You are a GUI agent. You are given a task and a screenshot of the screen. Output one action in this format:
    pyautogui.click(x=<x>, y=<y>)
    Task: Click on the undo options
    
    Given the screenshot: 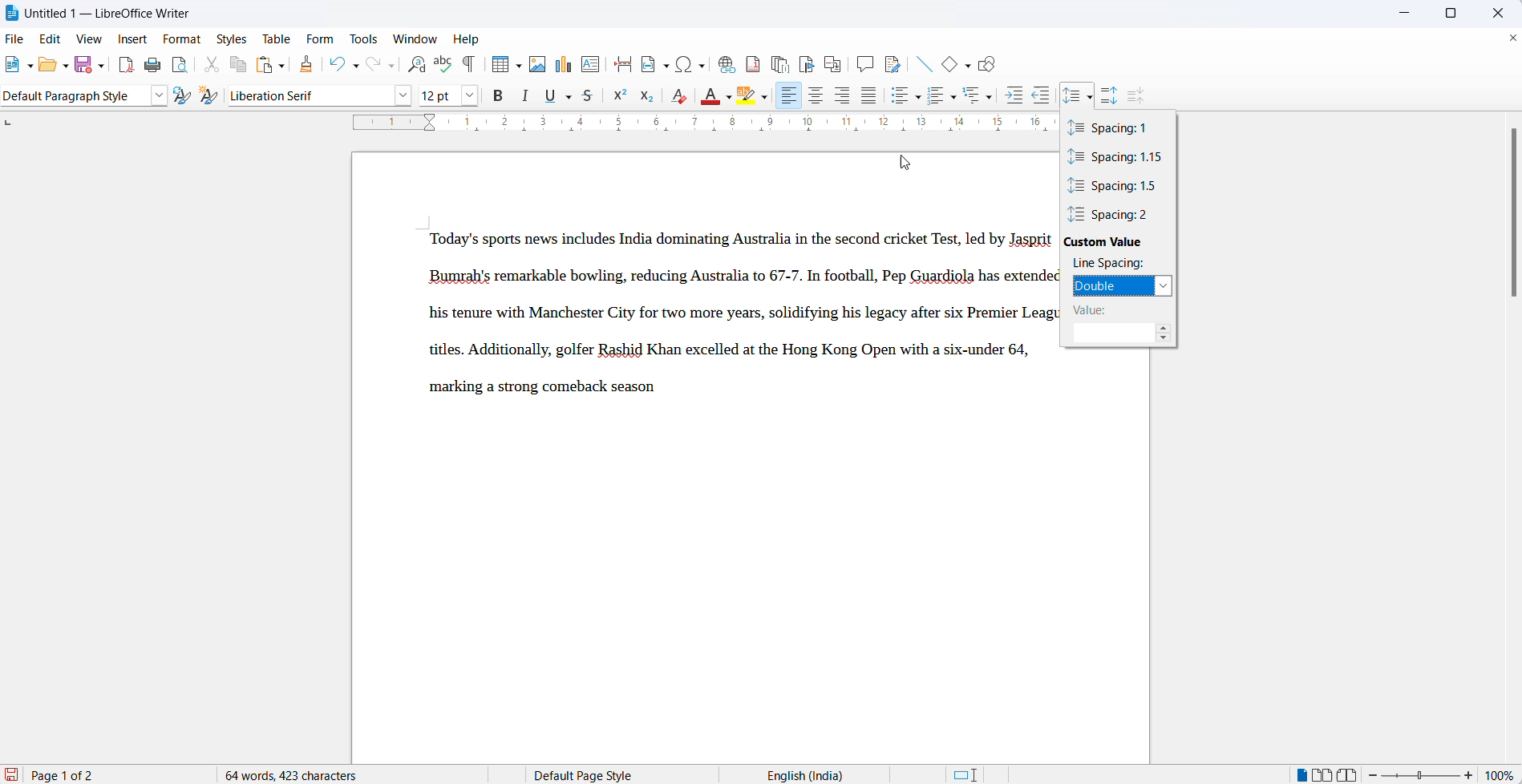 What is the action you would take?
    pyautogui.click(x=354, y=66)
    